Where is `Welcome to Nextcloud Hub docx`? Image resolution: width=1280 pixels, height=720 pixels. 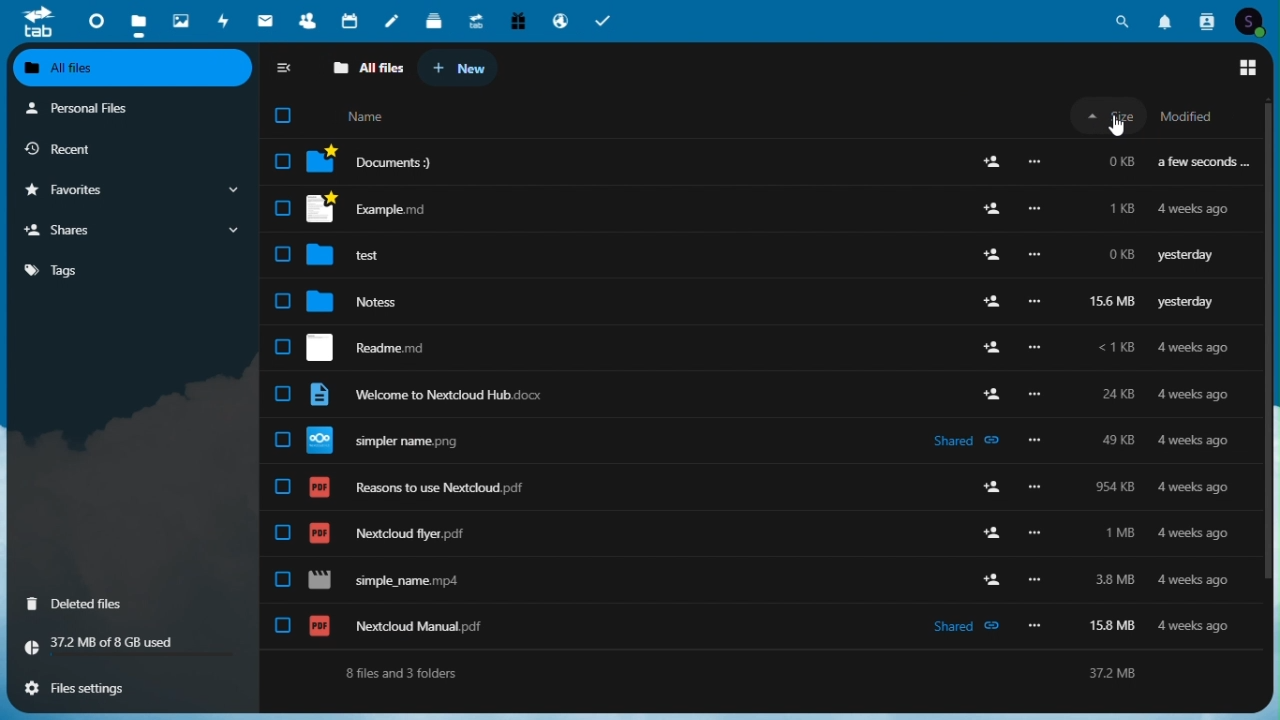 Welcome to Nextcloud Hub docx is located at coordinates (756, 398).